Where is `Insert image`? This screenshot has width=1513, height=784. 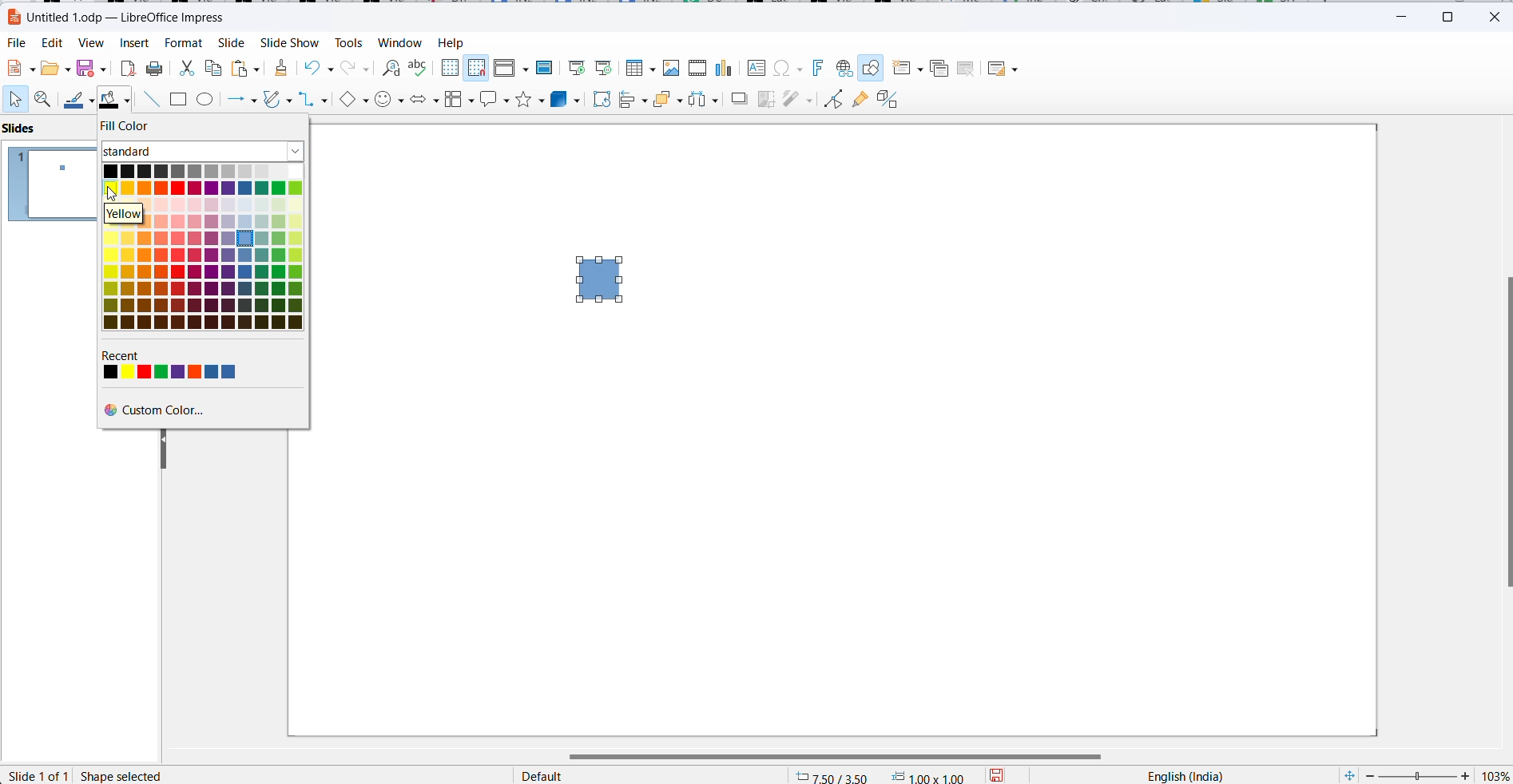
Insert image is located at coordinates (673, 68).